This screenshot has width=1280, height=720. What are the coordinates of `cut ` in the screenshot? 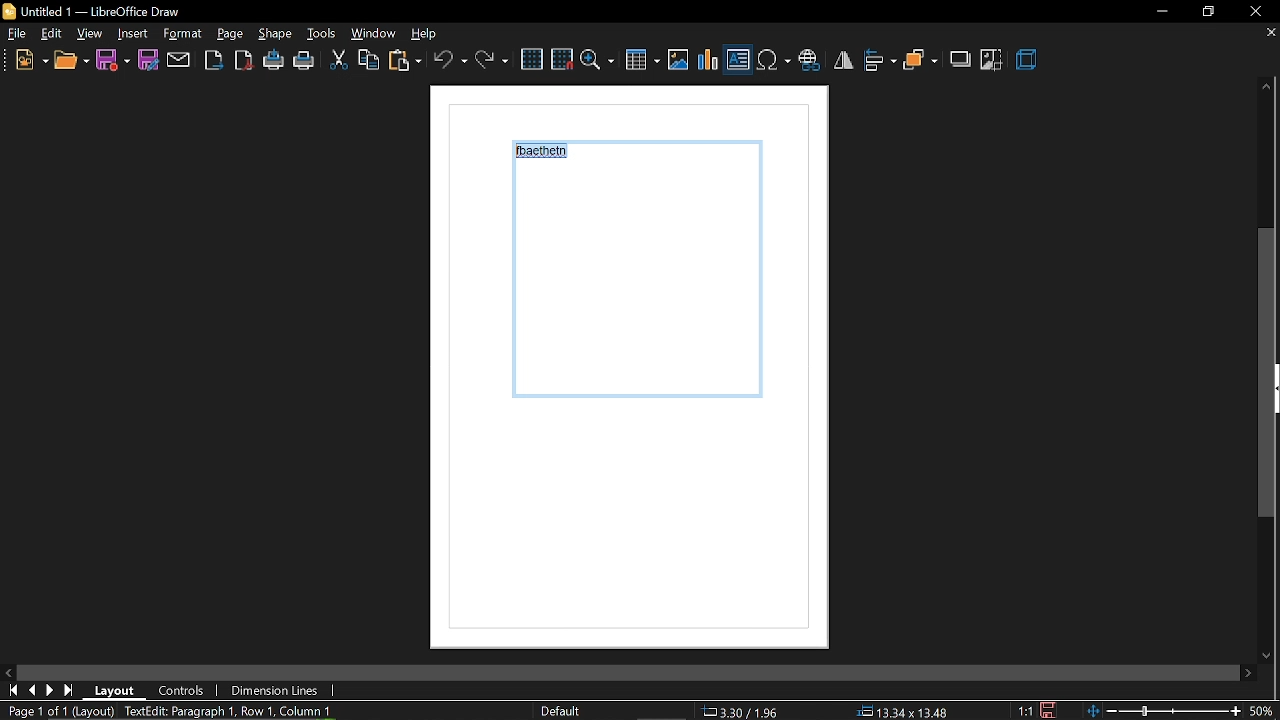 It's located at (338, 62).